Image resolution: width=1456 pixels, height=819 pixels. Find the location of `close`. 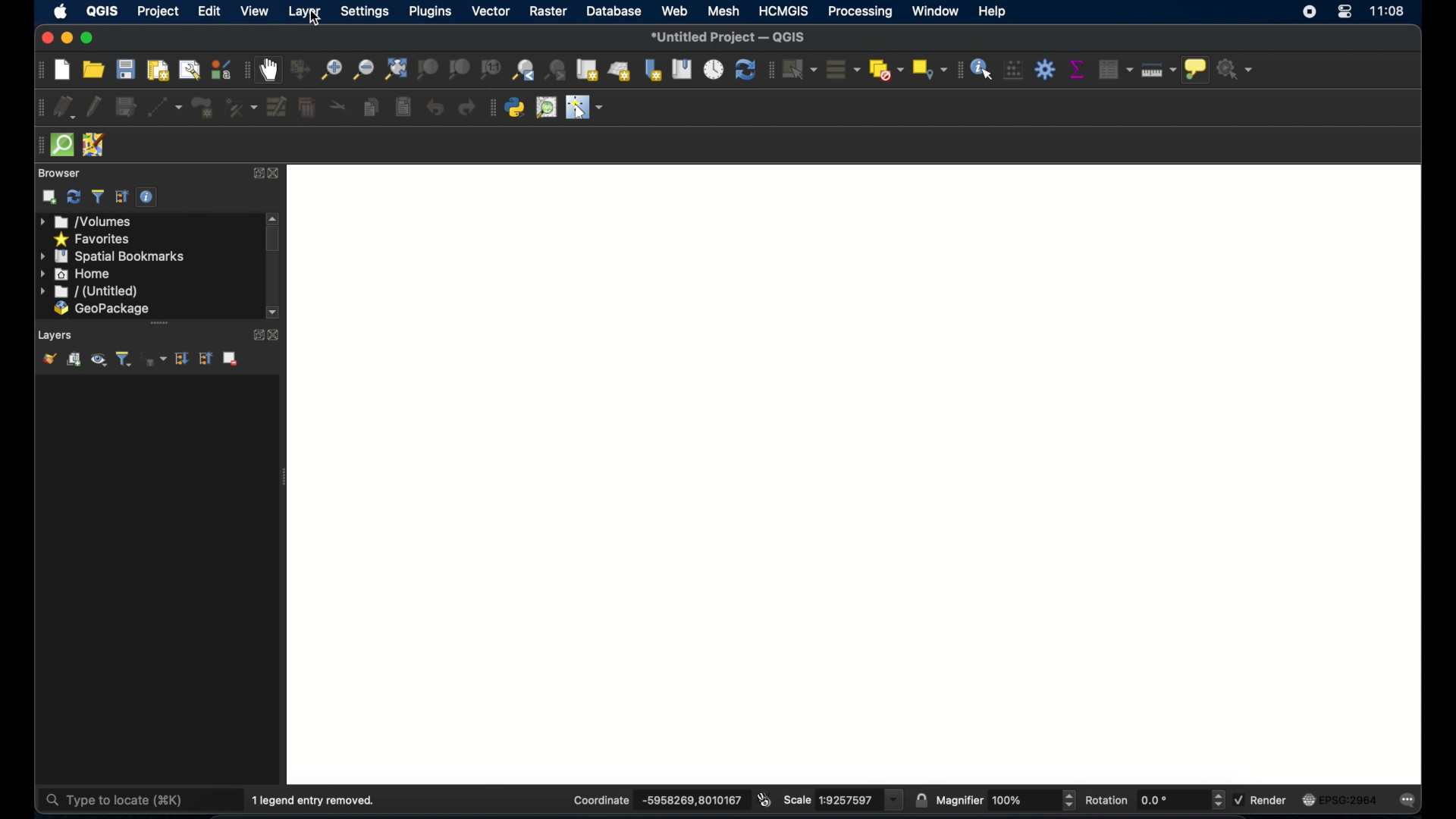

close is located at coordinates (44, 39).